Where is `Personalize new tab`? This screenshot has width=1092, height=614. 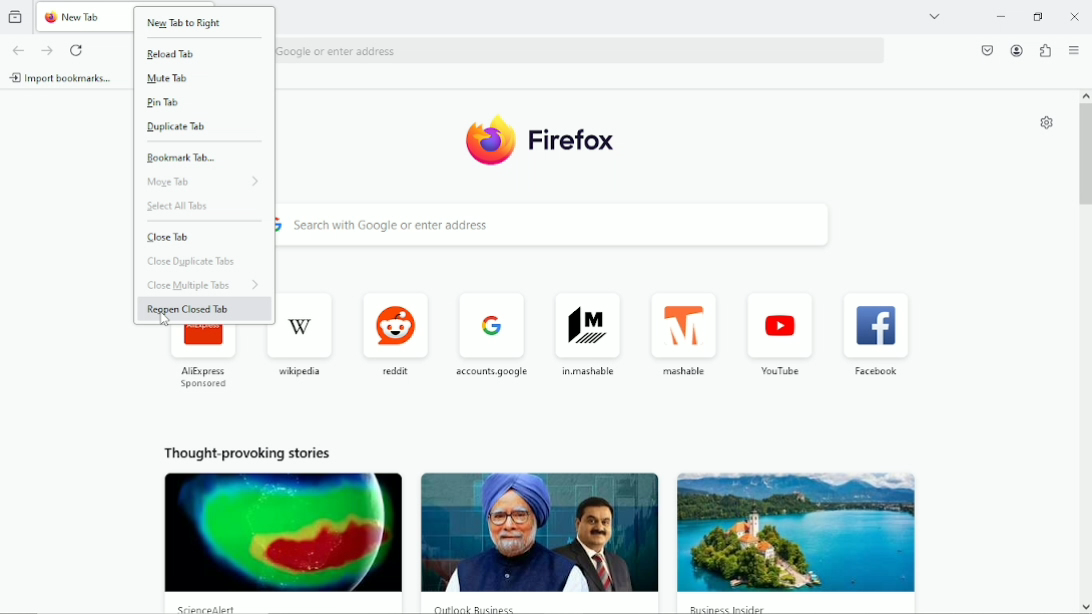 Personalize new tab is located at coordinates (1047, 124).